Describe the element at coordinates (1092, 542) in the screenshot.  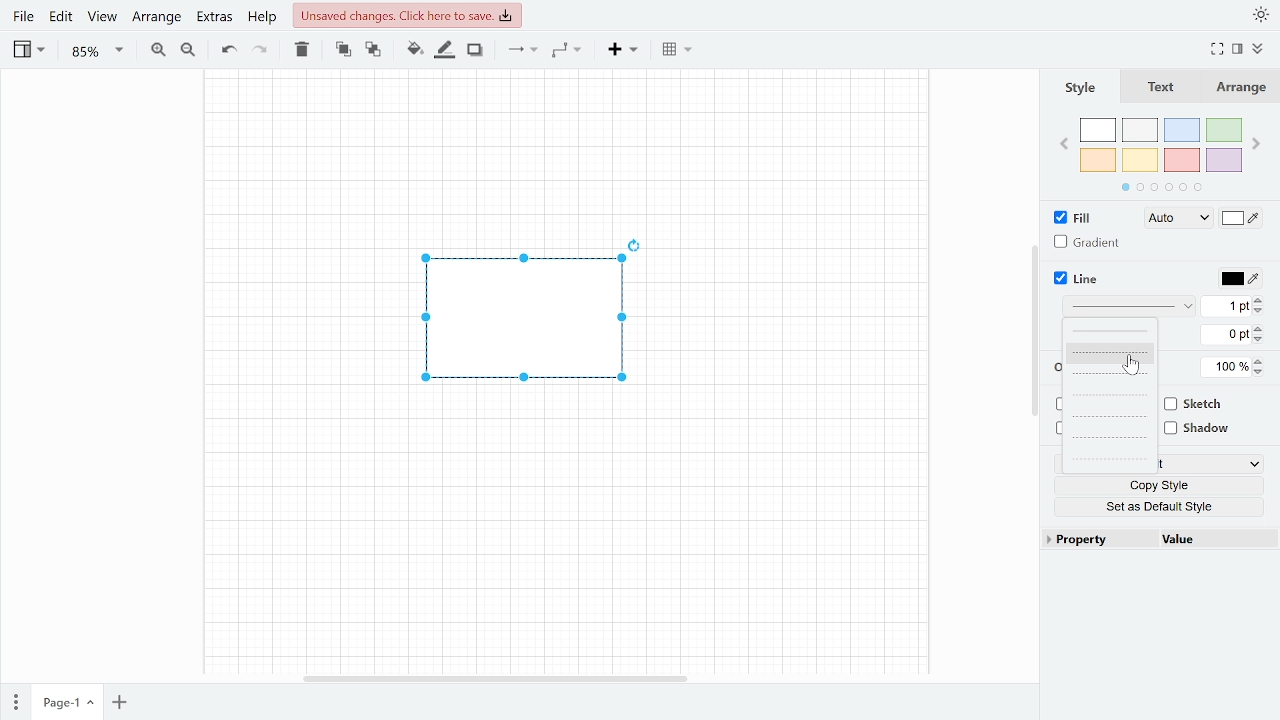
I see `Property` at that location.